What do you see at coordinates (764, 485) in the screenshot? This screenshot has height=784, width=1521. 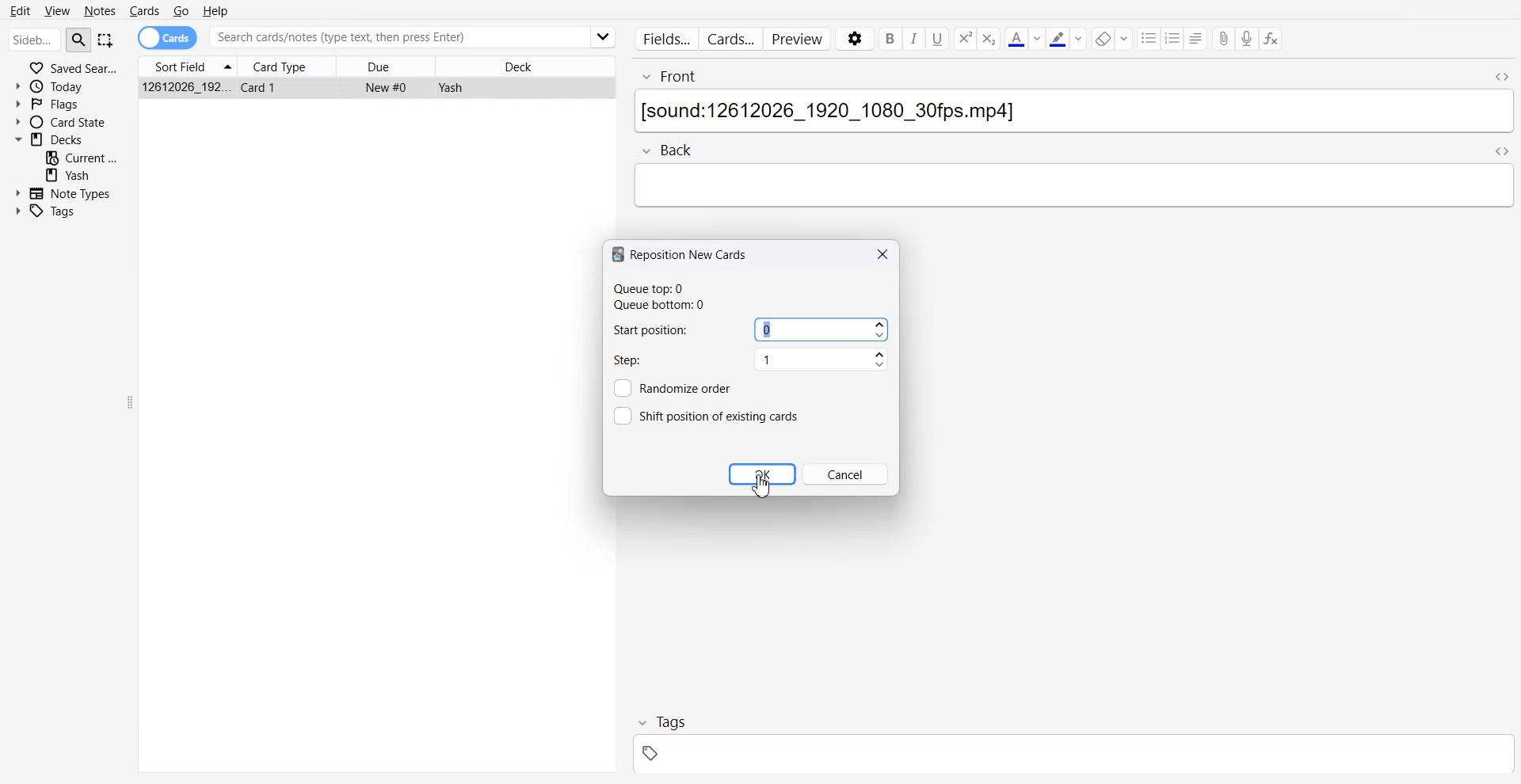 I see `Cursor` at bounding box center [764, 485].